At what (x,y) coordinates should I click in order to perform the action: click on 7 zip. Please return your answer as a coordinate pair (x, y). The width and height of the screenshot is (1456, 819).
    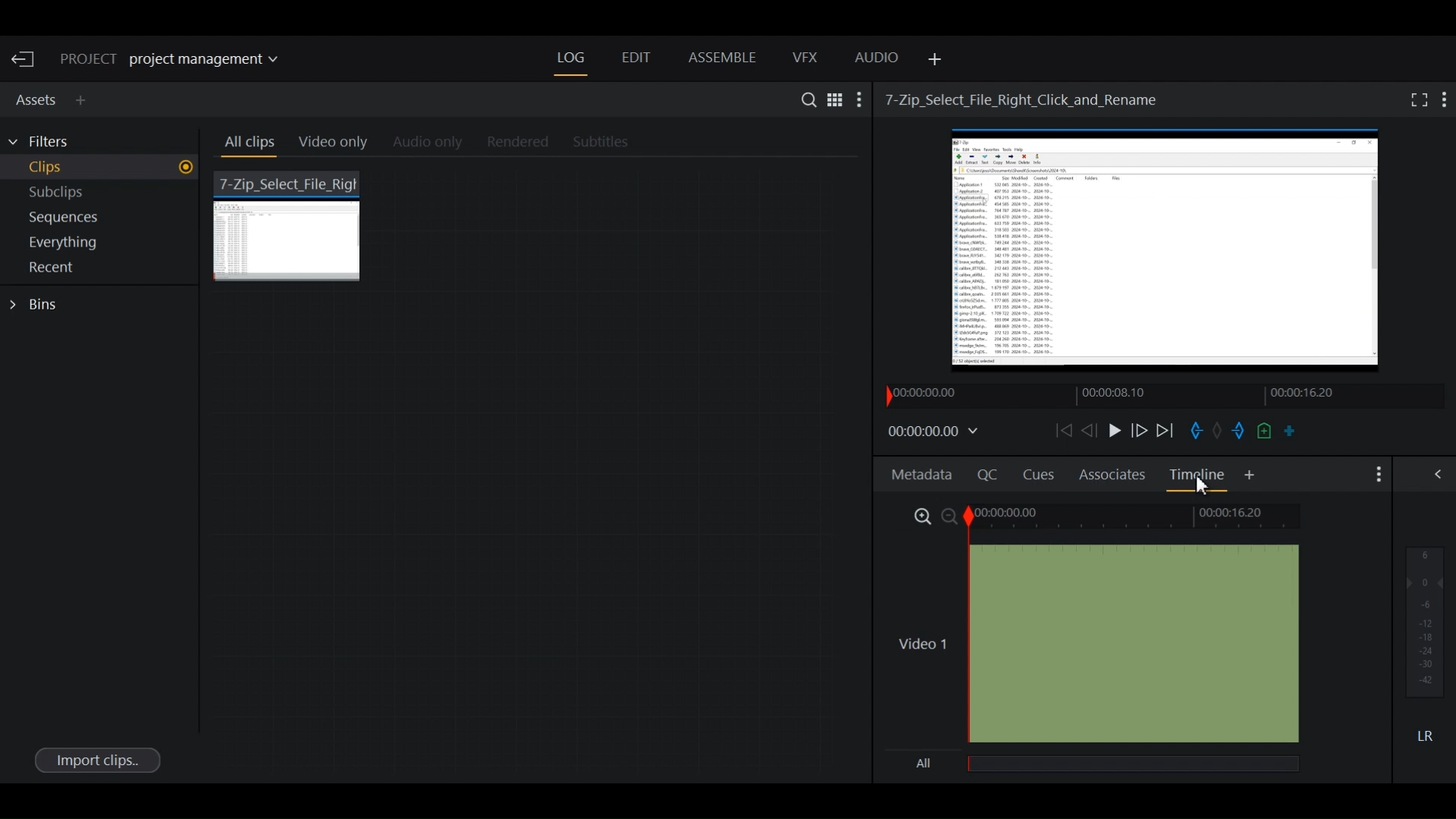
    Looking at the image, I should click on (290, 224).